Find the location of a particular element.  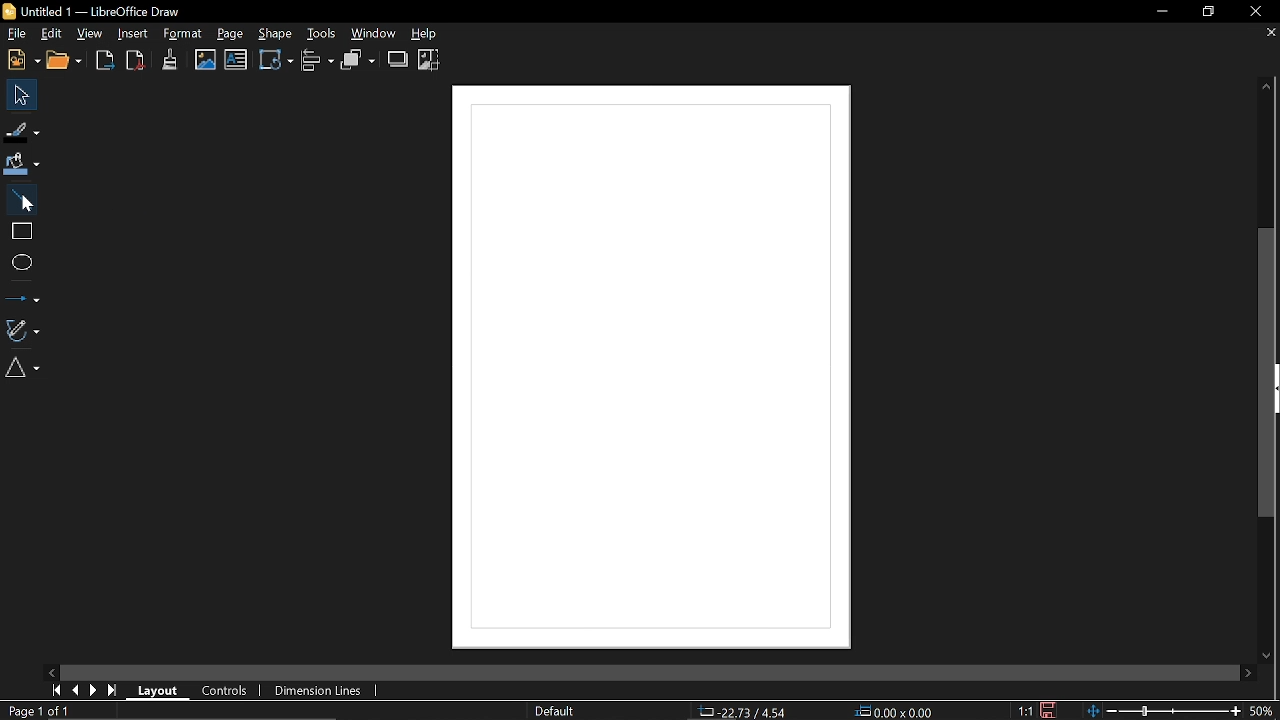

cursor is located at coordinates (30, 207).